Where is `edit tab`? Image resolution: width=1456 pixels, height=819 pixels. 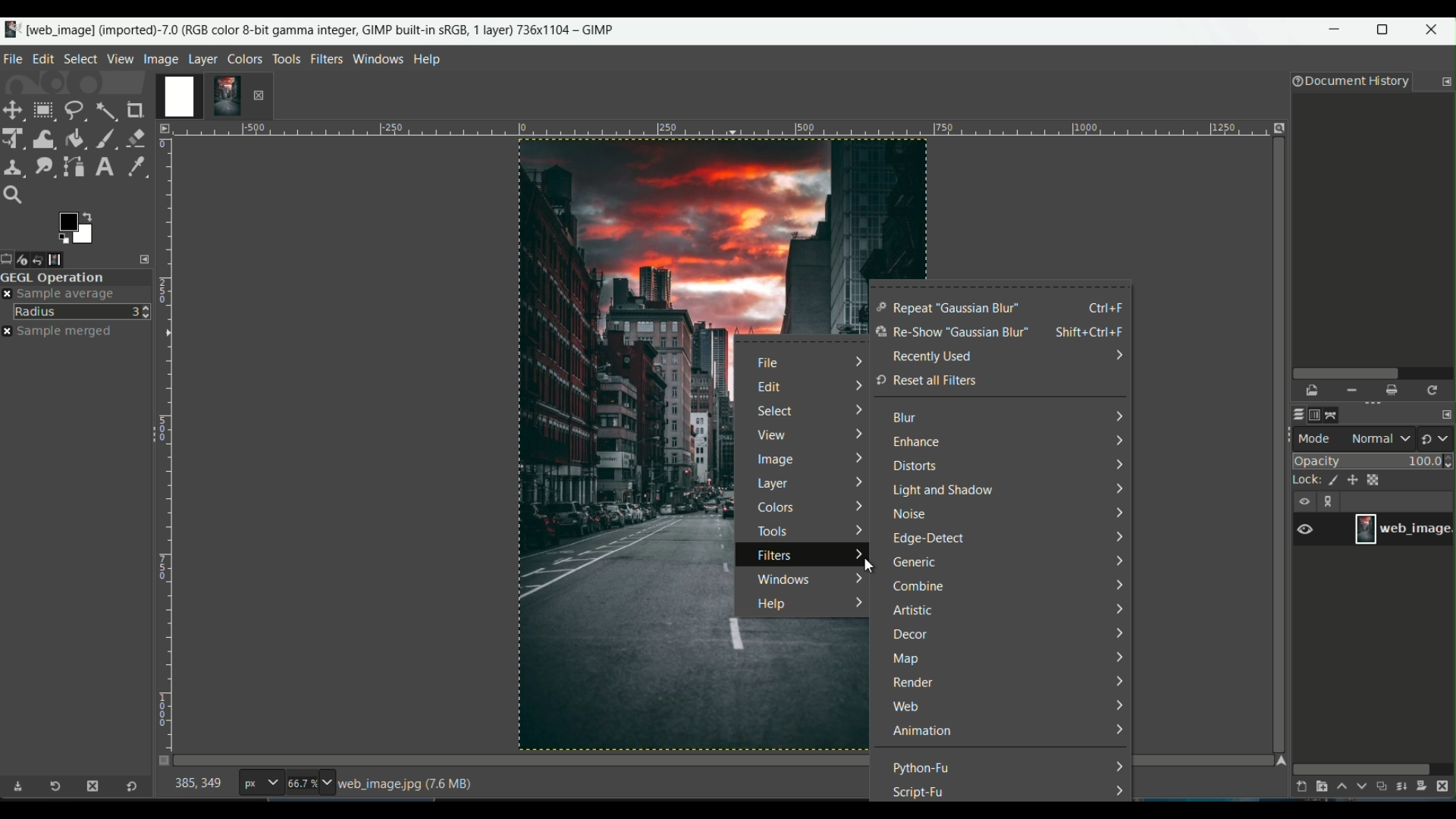
edit tab is located at coordinates (43, 58).